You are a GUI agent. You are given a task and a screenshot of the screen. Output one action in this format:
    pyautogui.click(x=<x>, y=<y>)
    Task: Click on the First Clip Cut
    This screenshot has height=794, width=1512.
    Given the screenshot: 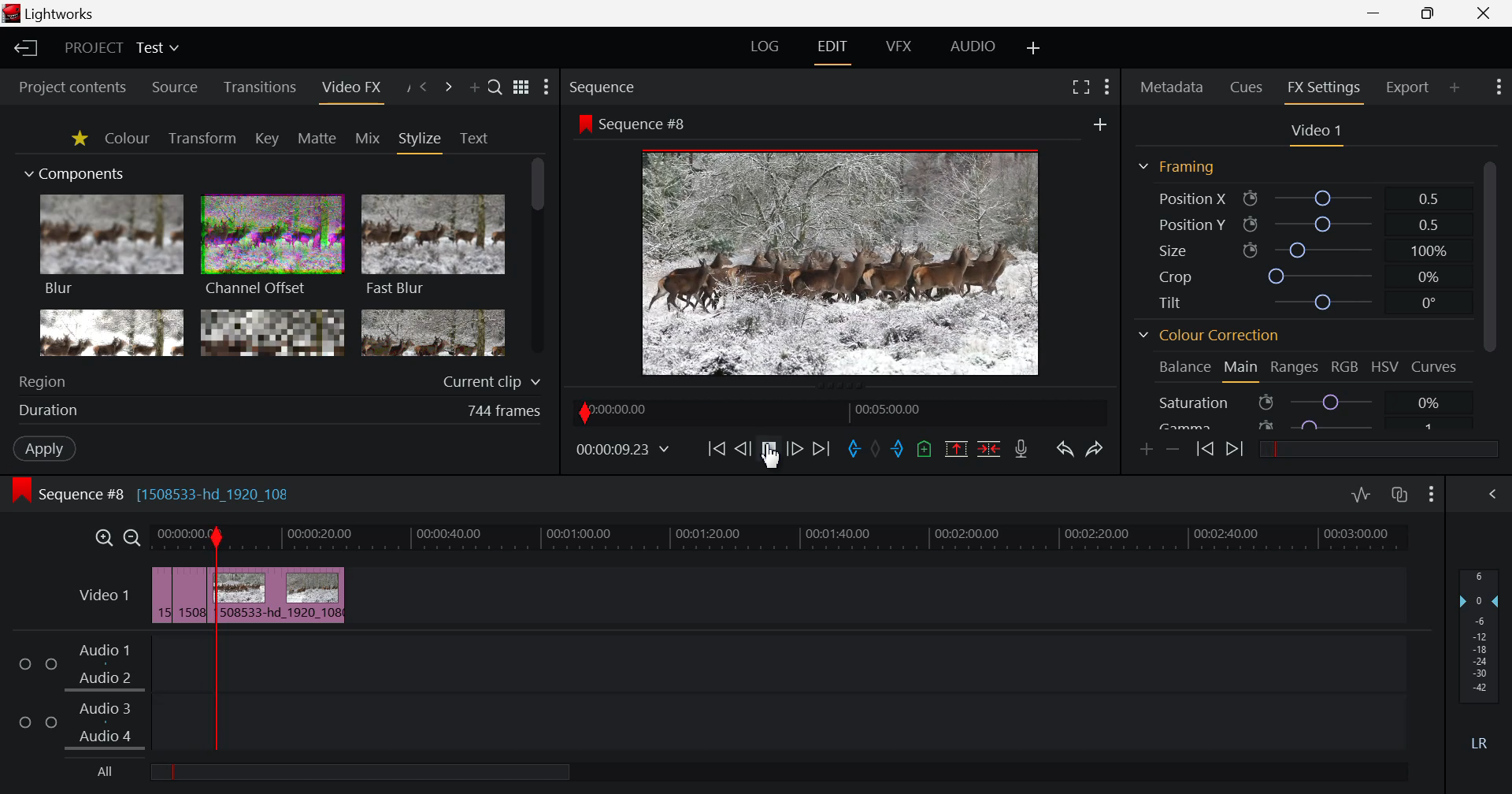 What is the action you would take?
    pyautogui.click(x=174, y=599)
    